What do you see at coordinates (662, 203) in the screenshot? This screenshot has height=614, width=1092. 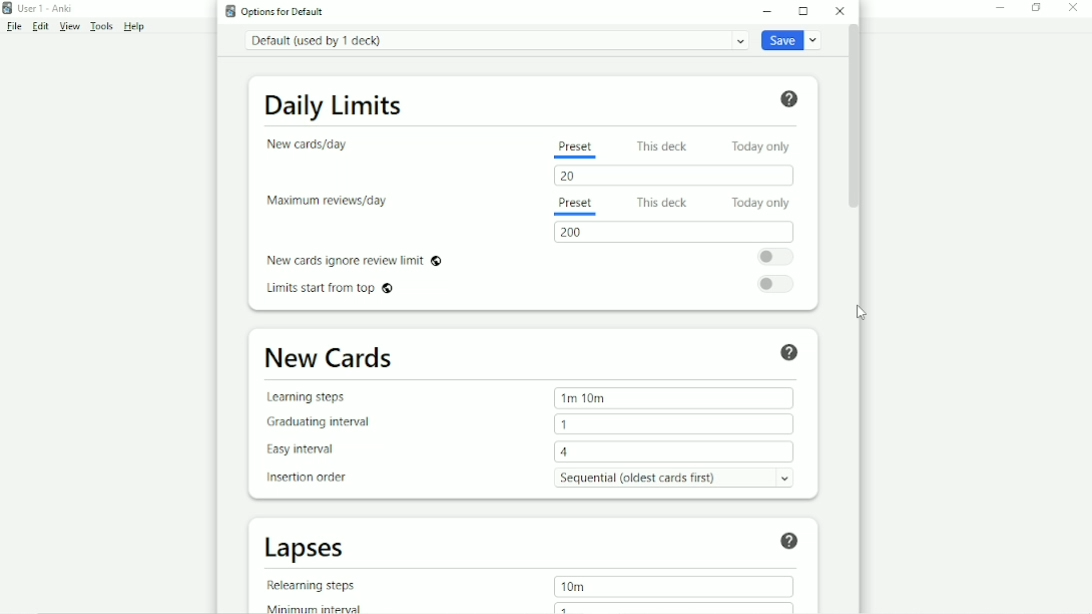 I see `This deck` at bounding box center [662, 203].